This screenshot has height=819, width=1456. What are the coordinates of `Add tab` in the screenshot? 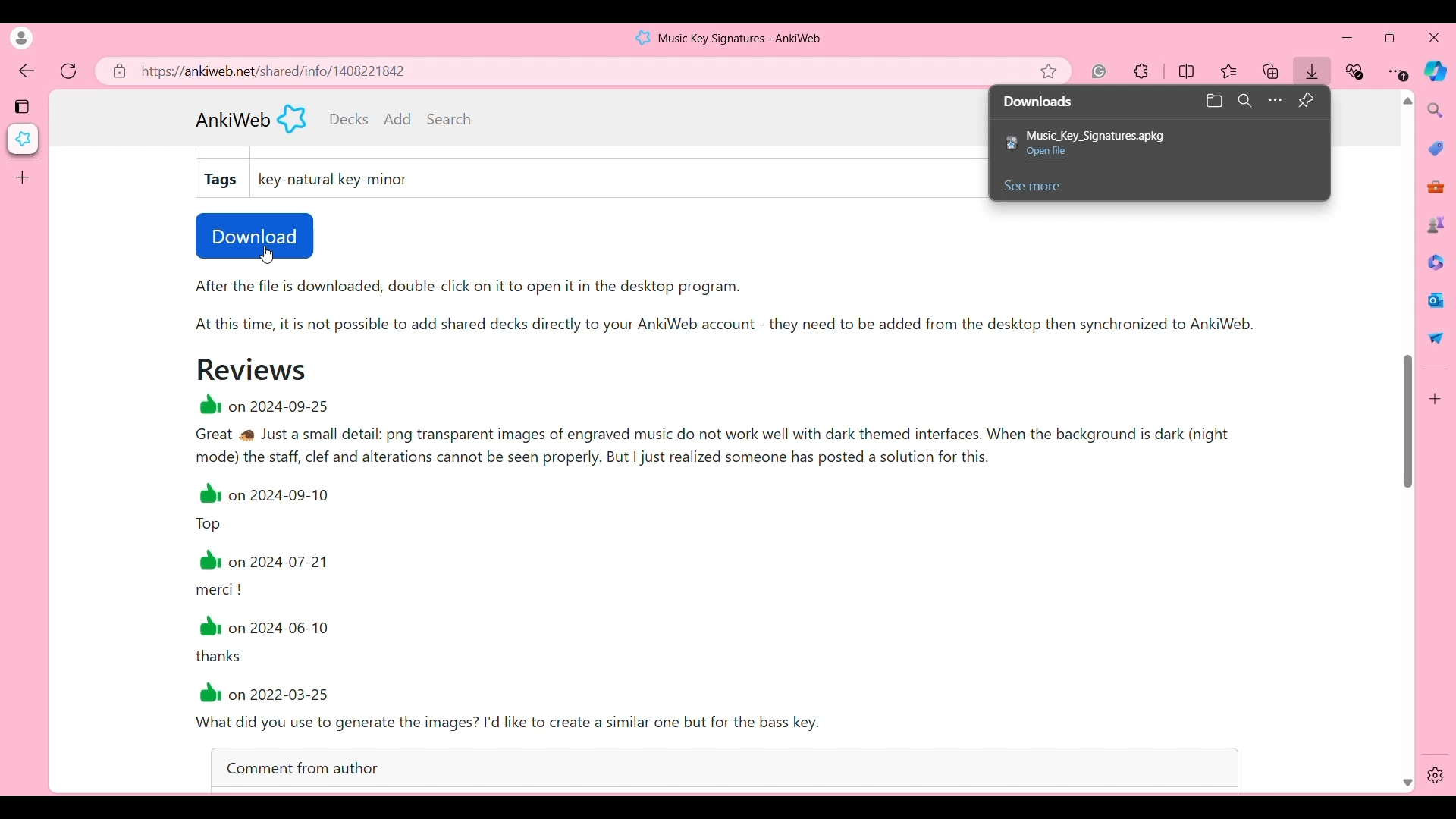 It's located at (22, 177).